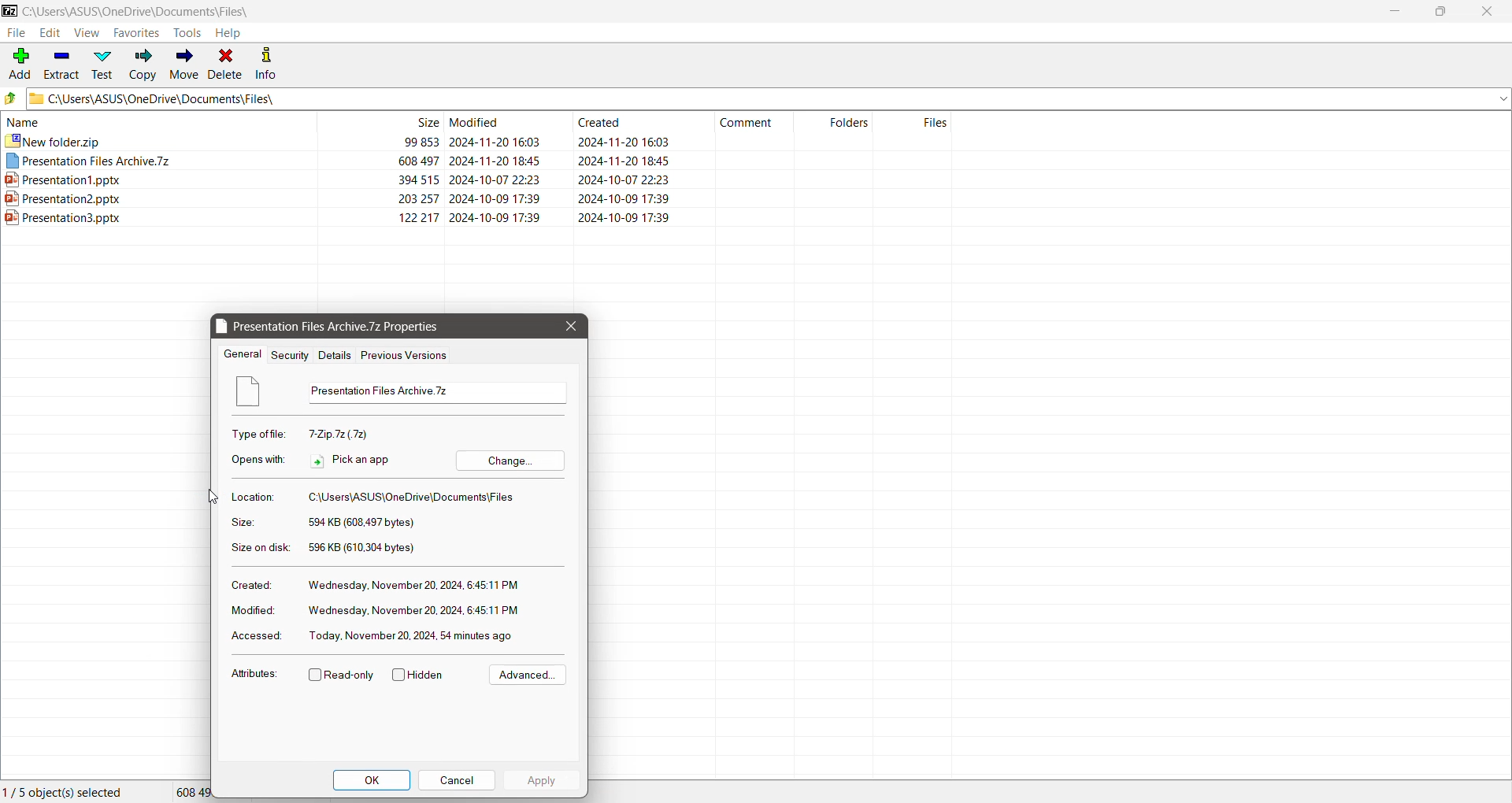 The width and height of the screenshot is (1512, 803). I want to click on Help, so click(229, 33).